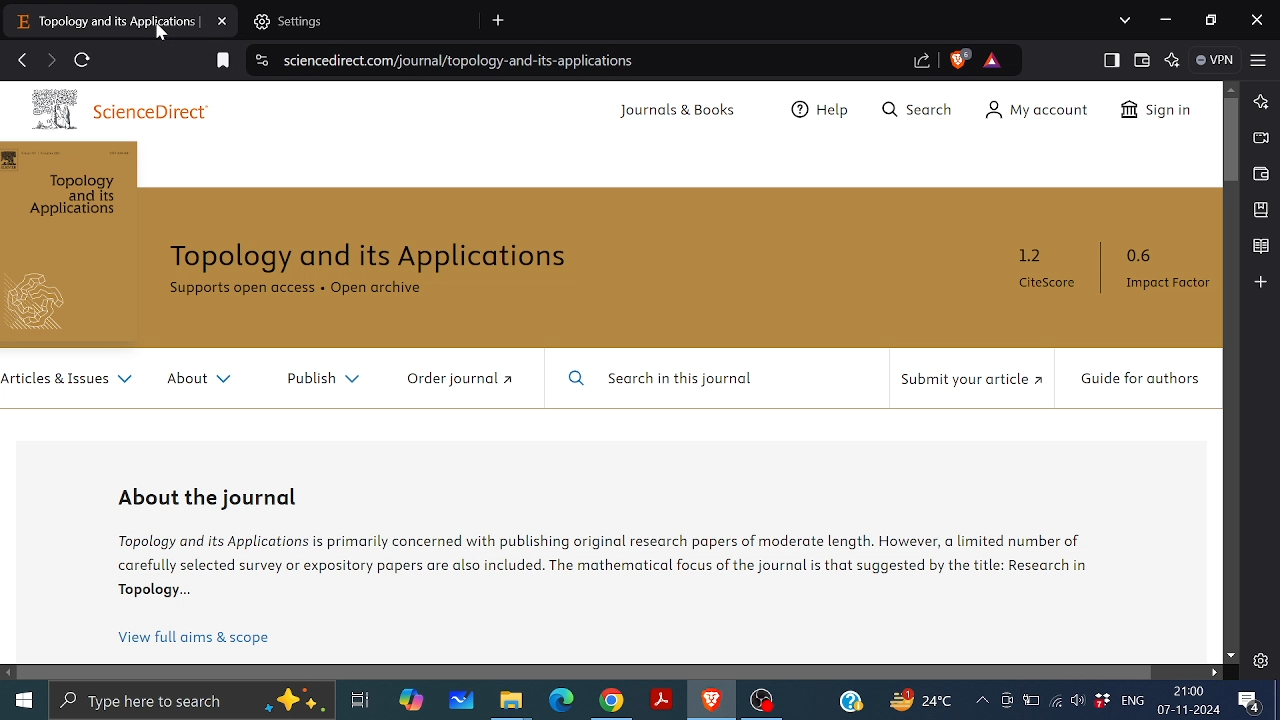 This screenshot has height=720, width=1280. Describe the element at coordinates (1190, 702) in the screenshot. I see `Time and date` at that location.